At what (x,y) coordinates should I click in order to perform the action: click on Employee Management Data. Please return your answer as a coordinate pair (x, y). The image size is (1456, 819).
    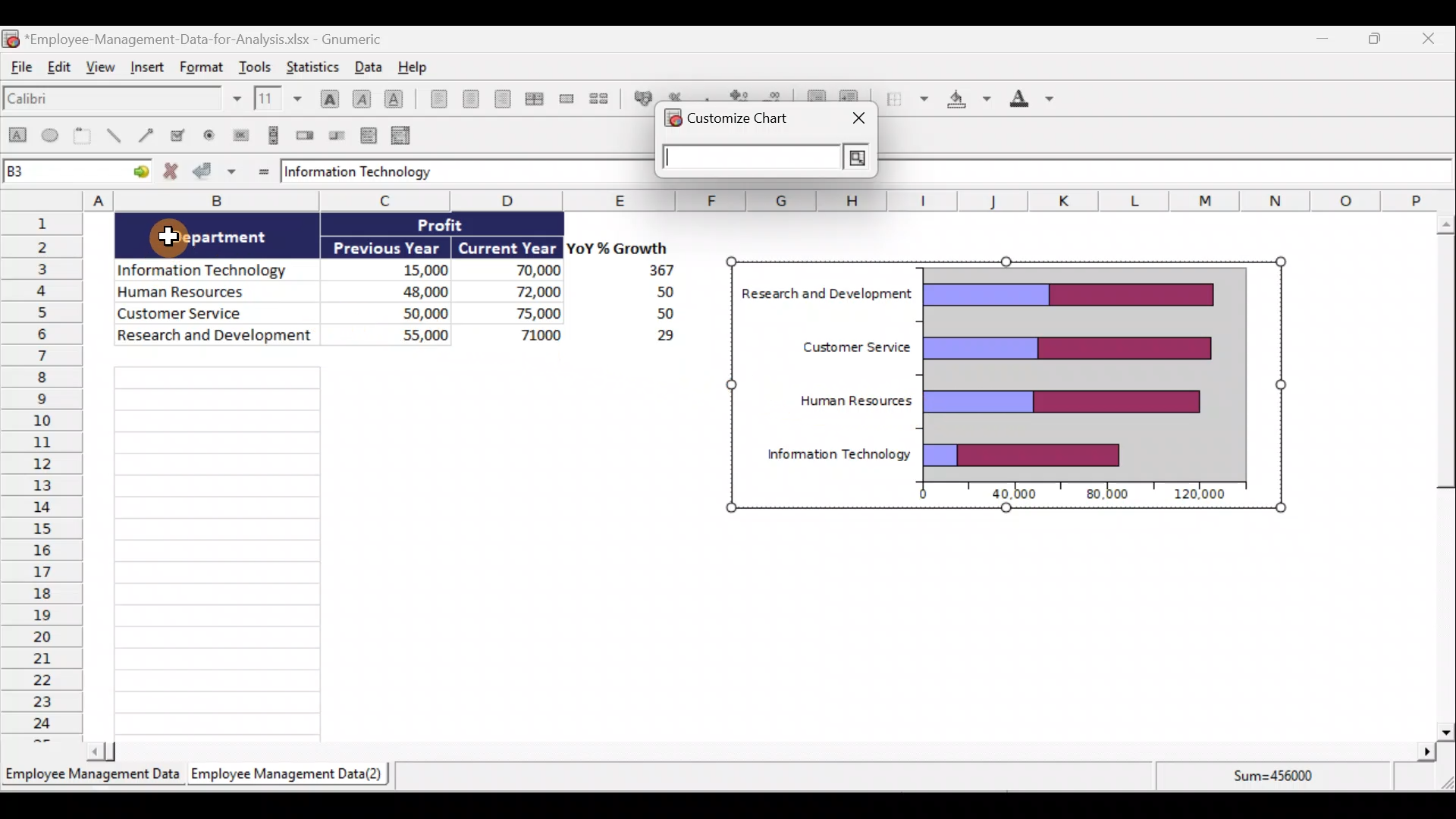
    Looking at the image, I should click on (92, 773).